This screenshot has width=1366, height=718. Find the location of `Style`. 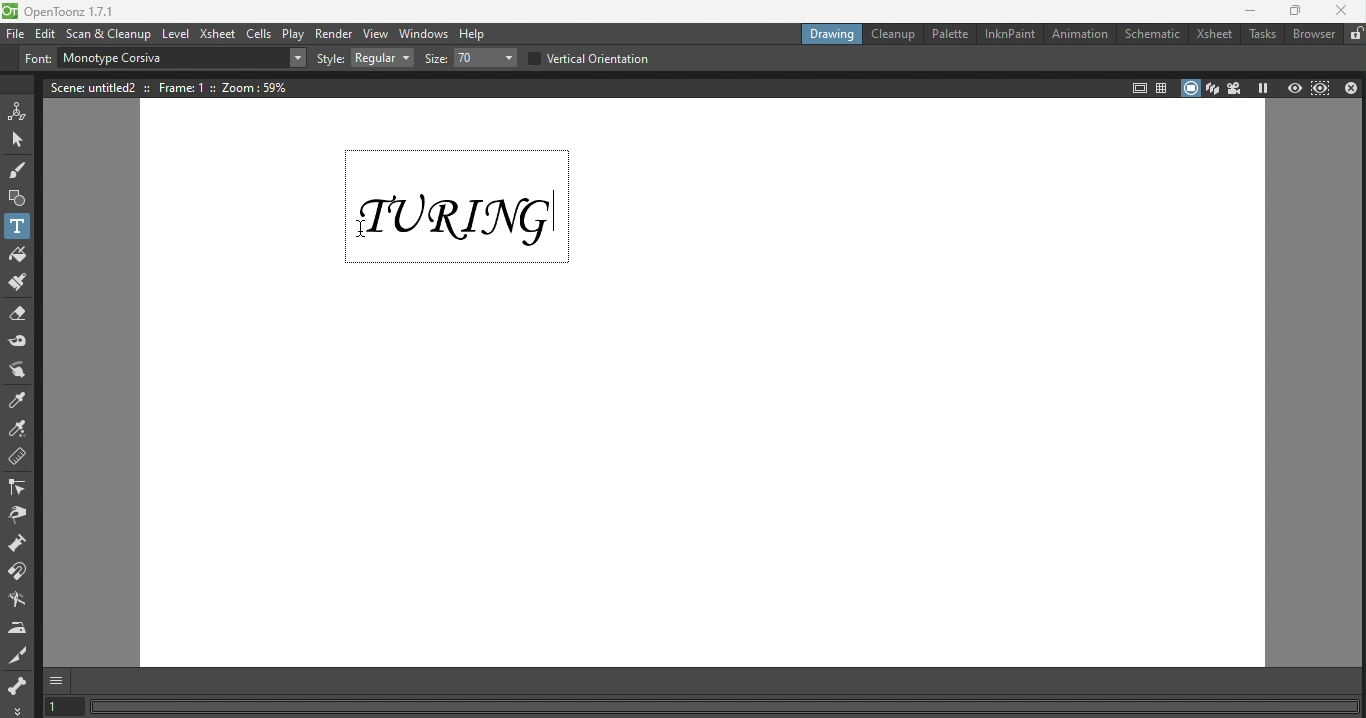

Style is located at coordinates (329, 60).